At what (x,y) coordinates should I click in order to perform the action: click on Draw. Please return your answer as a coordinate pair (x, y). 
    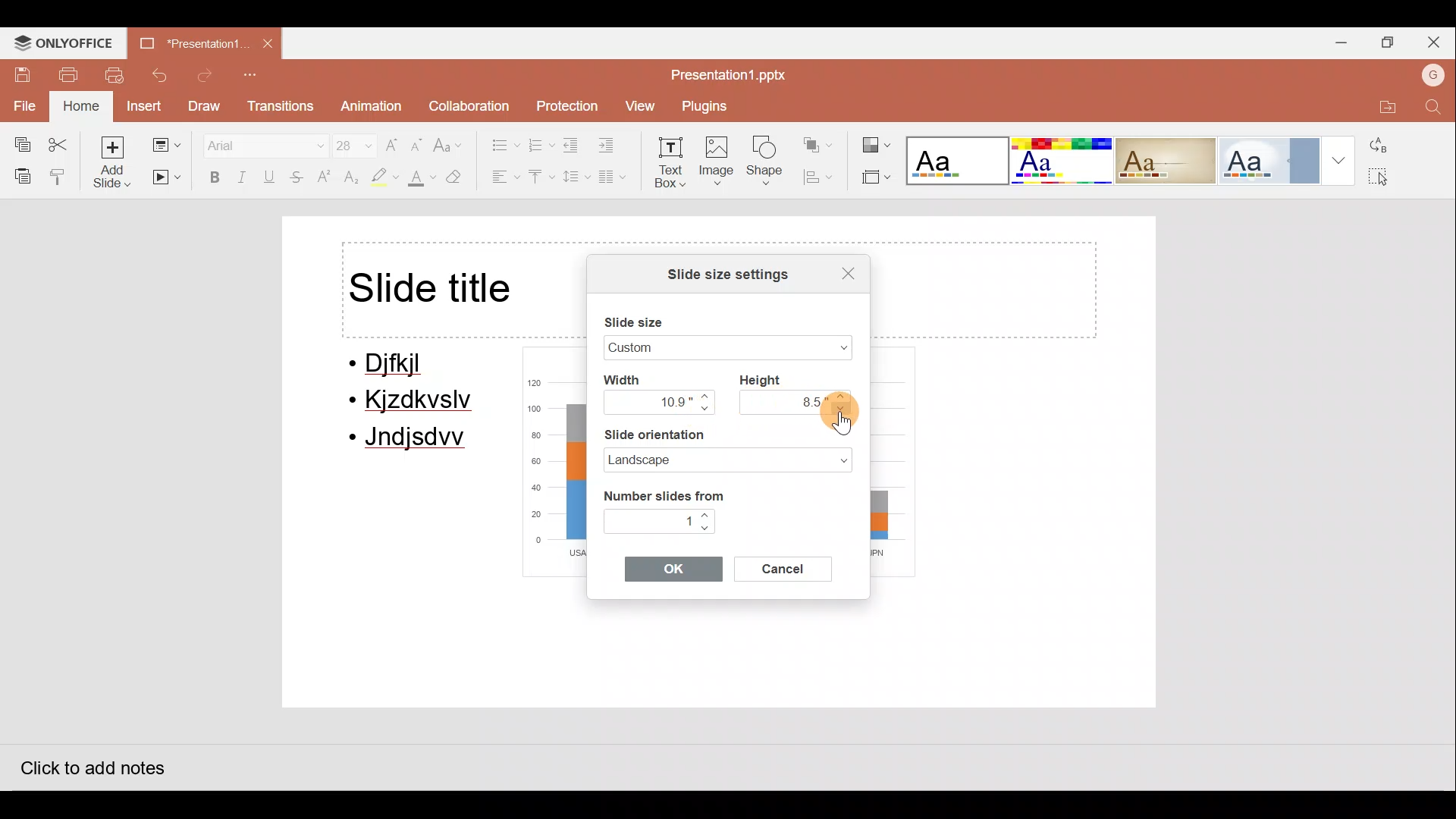
    Looking at the image, I should click on (206, 106).